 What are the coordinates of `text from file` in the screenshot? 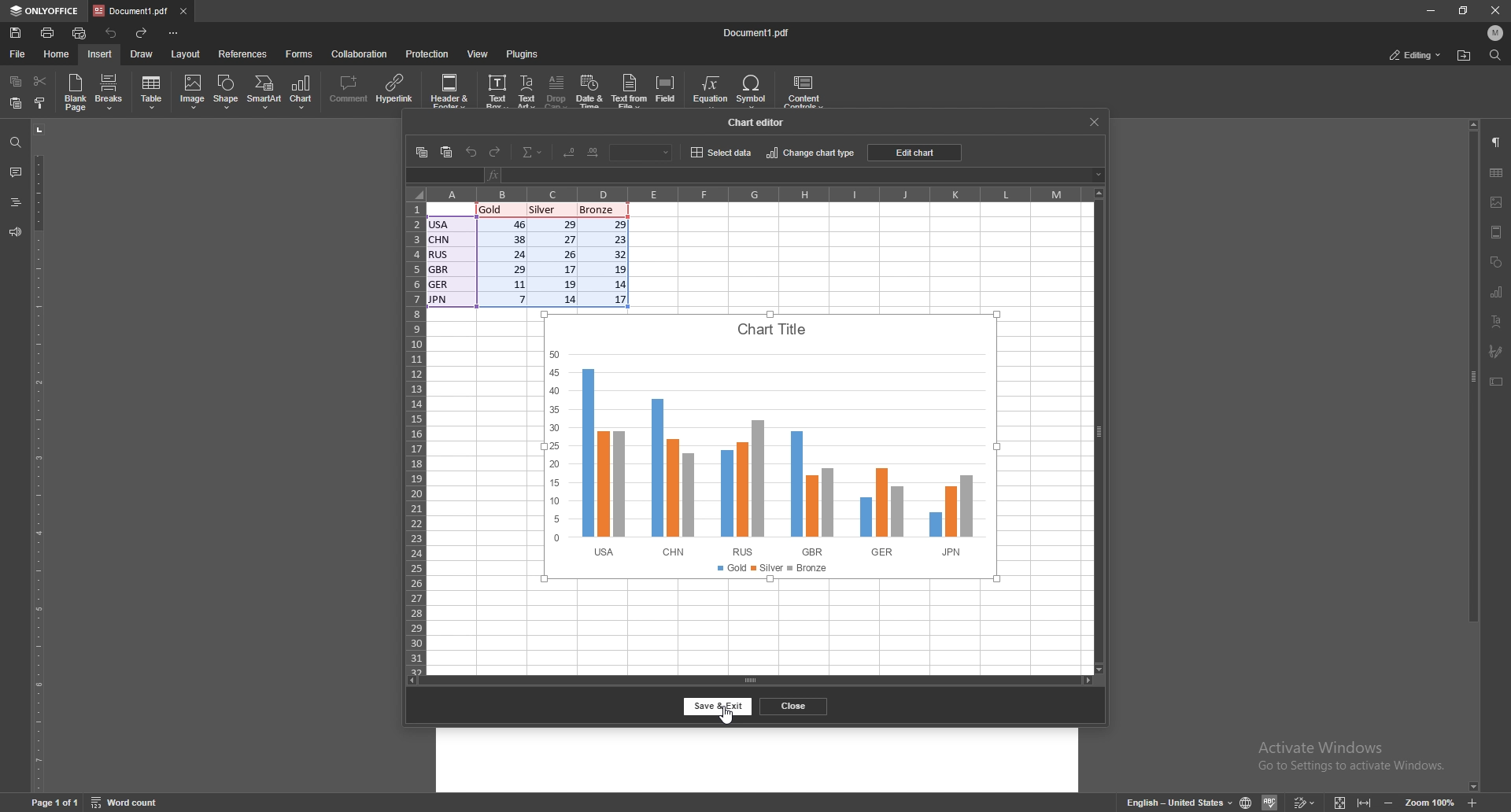 It's located at (631, 92).